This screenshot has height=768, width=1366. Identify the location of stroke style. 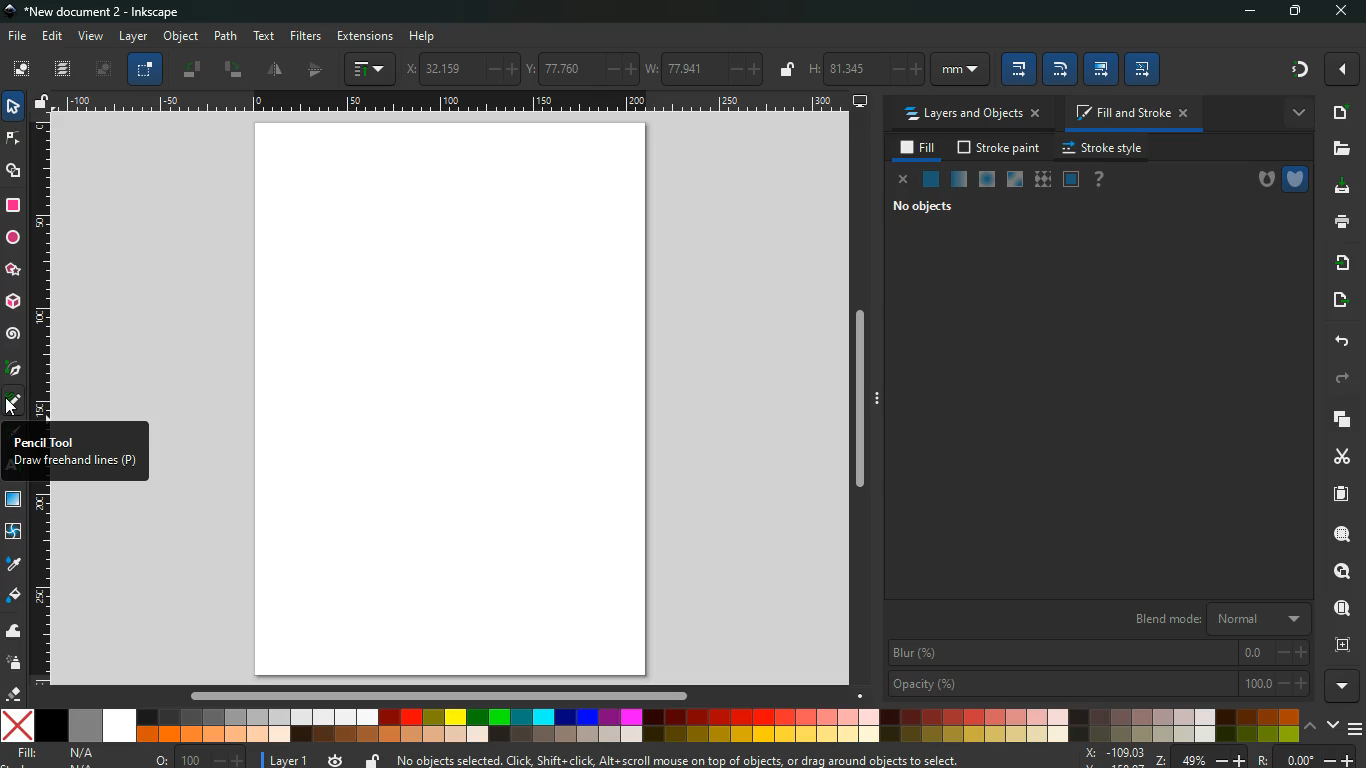
(1106, 147).